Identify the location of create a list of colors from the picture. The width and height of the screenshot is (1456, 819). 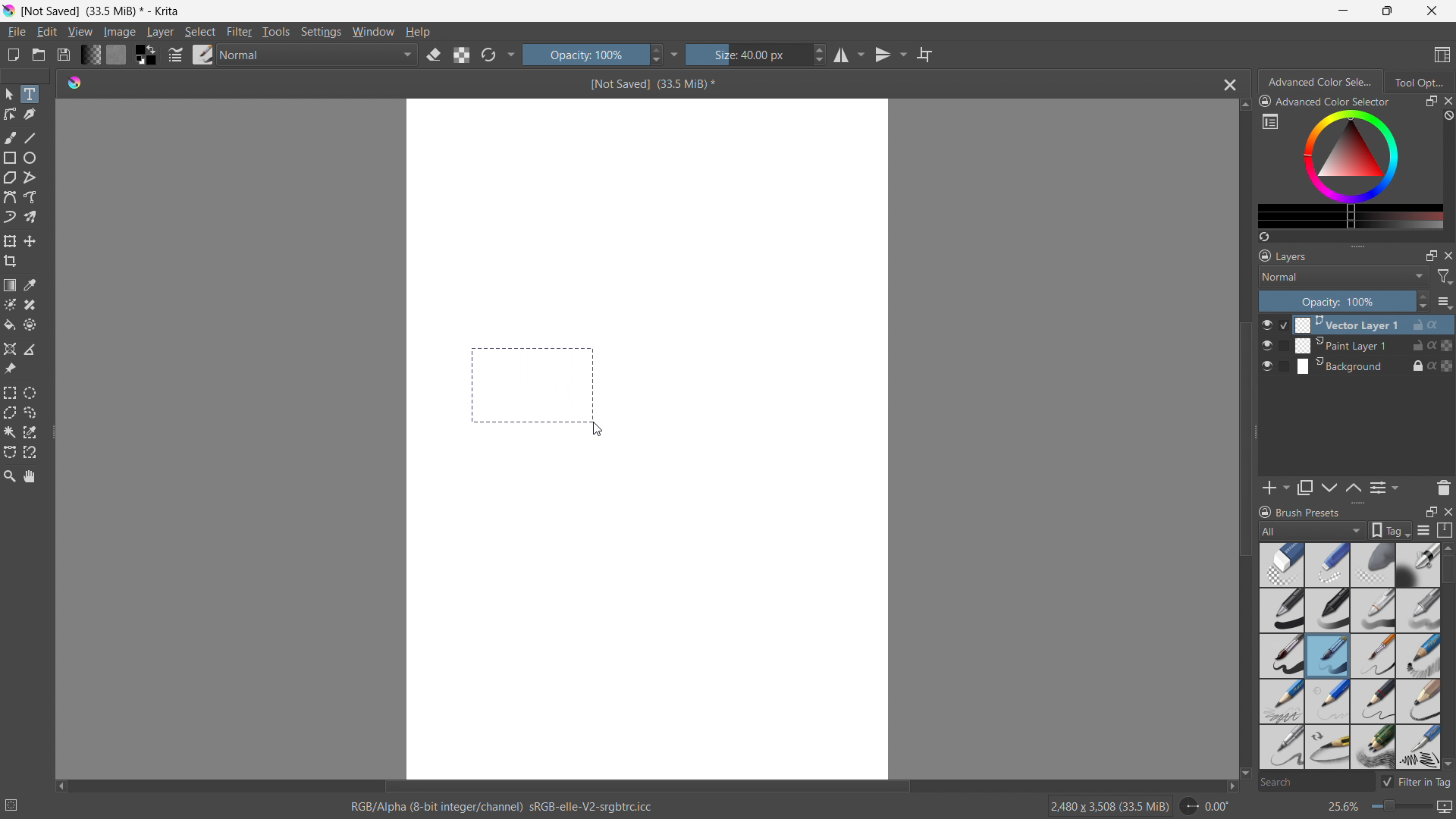
(1264, 237).